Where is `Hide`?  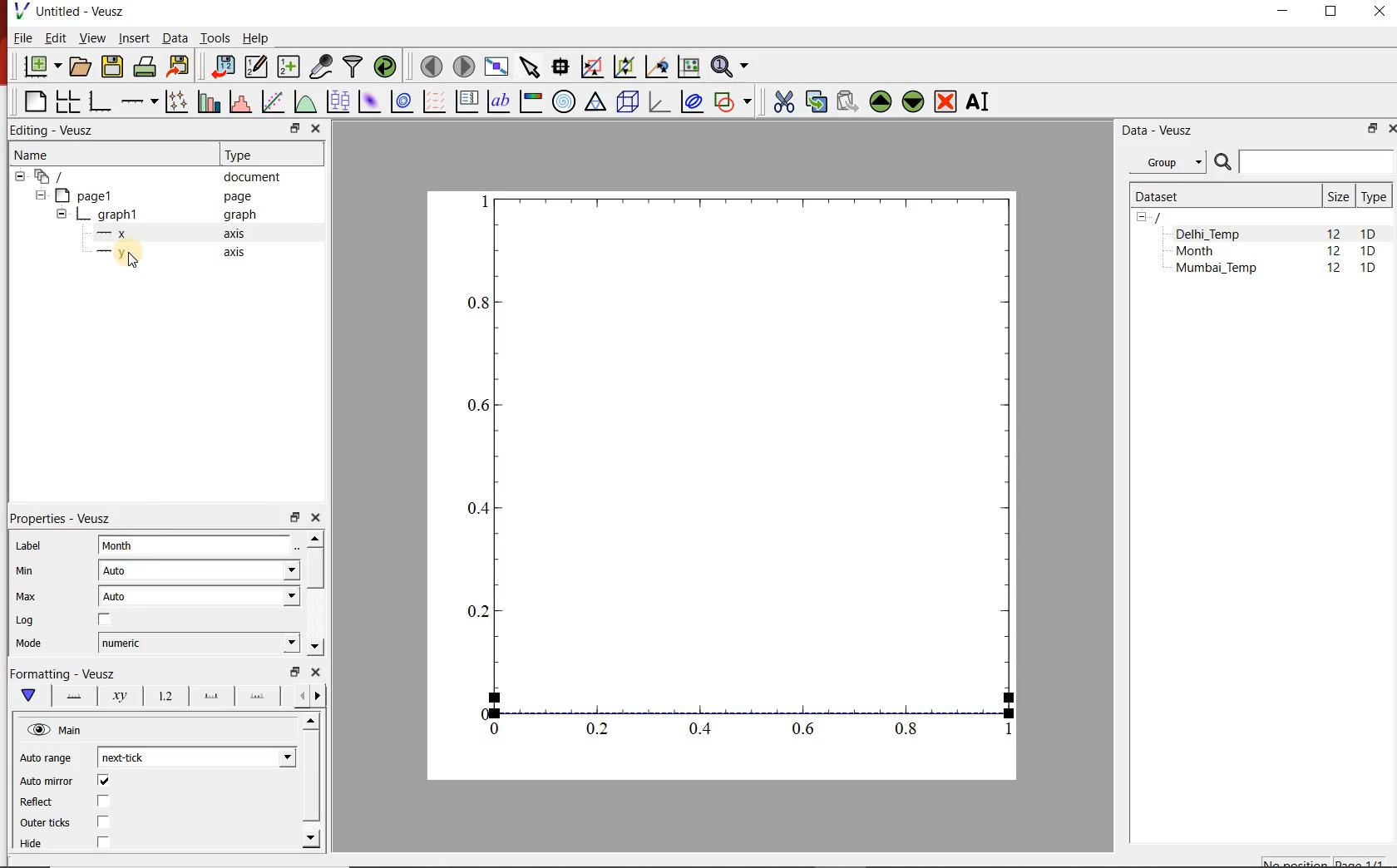
Hide is located at coordinates (34, 845).